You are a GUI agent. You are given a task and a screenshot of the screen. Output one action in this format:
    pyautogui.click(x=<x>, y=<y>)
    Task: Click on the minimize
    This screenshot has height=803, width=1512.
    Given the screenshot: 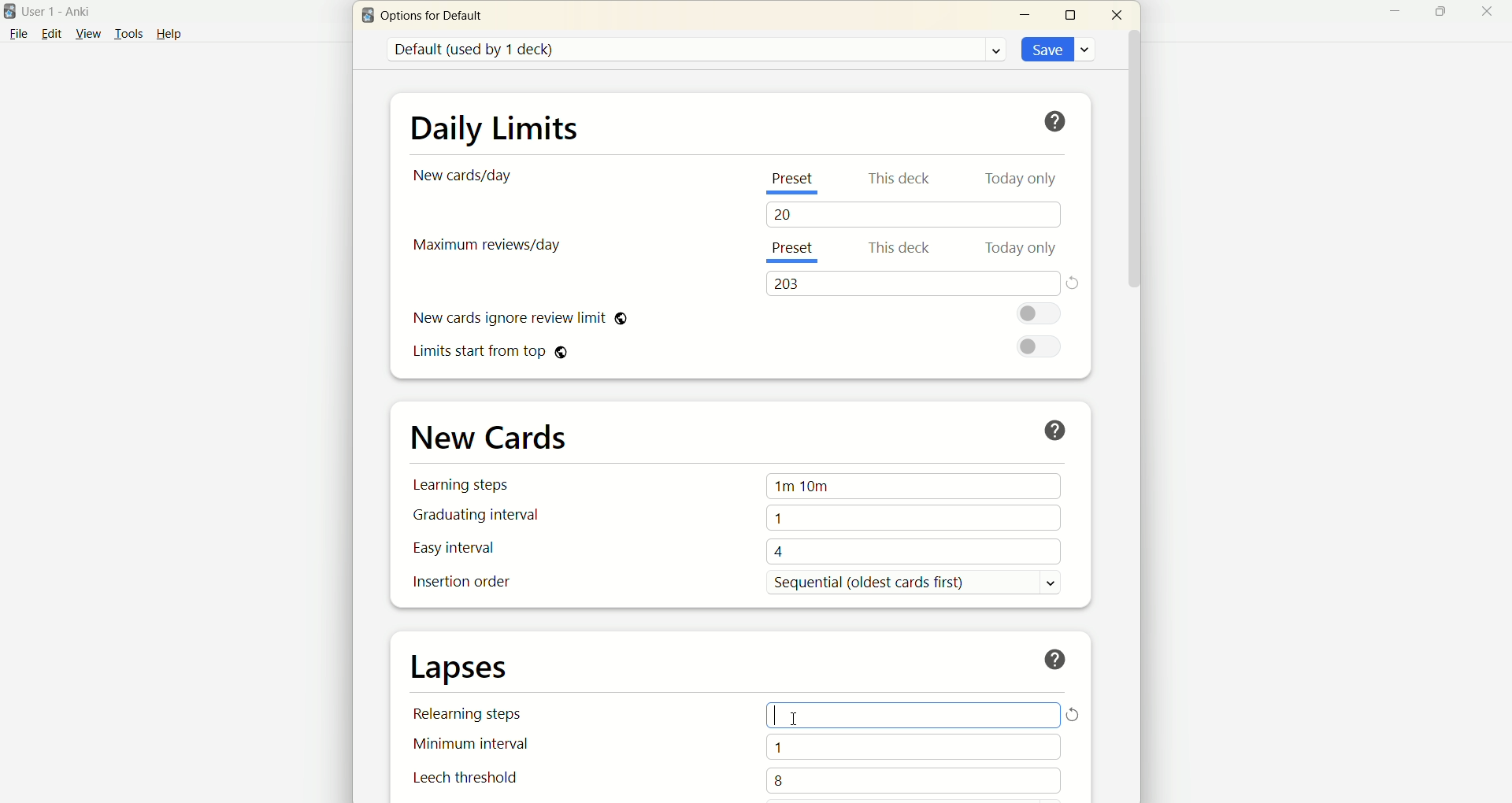 What is the action you would take?
    pyautogui.click(x=1388, y=13)
    